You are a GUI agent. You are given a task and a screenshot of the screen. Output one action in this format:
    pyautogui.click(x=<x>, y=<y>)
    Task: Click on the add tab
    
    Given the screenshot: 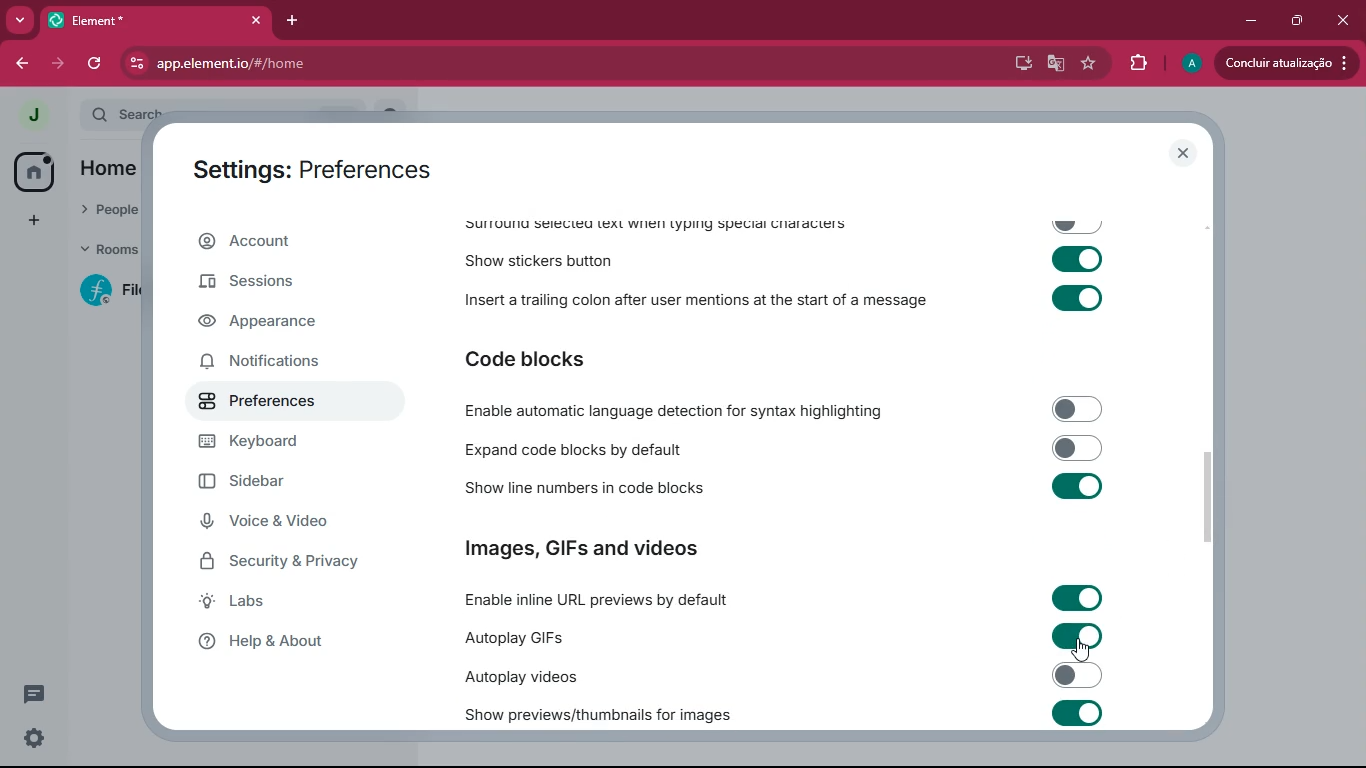 What is the action you would take?
    pyautogui.click(x=293, y=22)
    